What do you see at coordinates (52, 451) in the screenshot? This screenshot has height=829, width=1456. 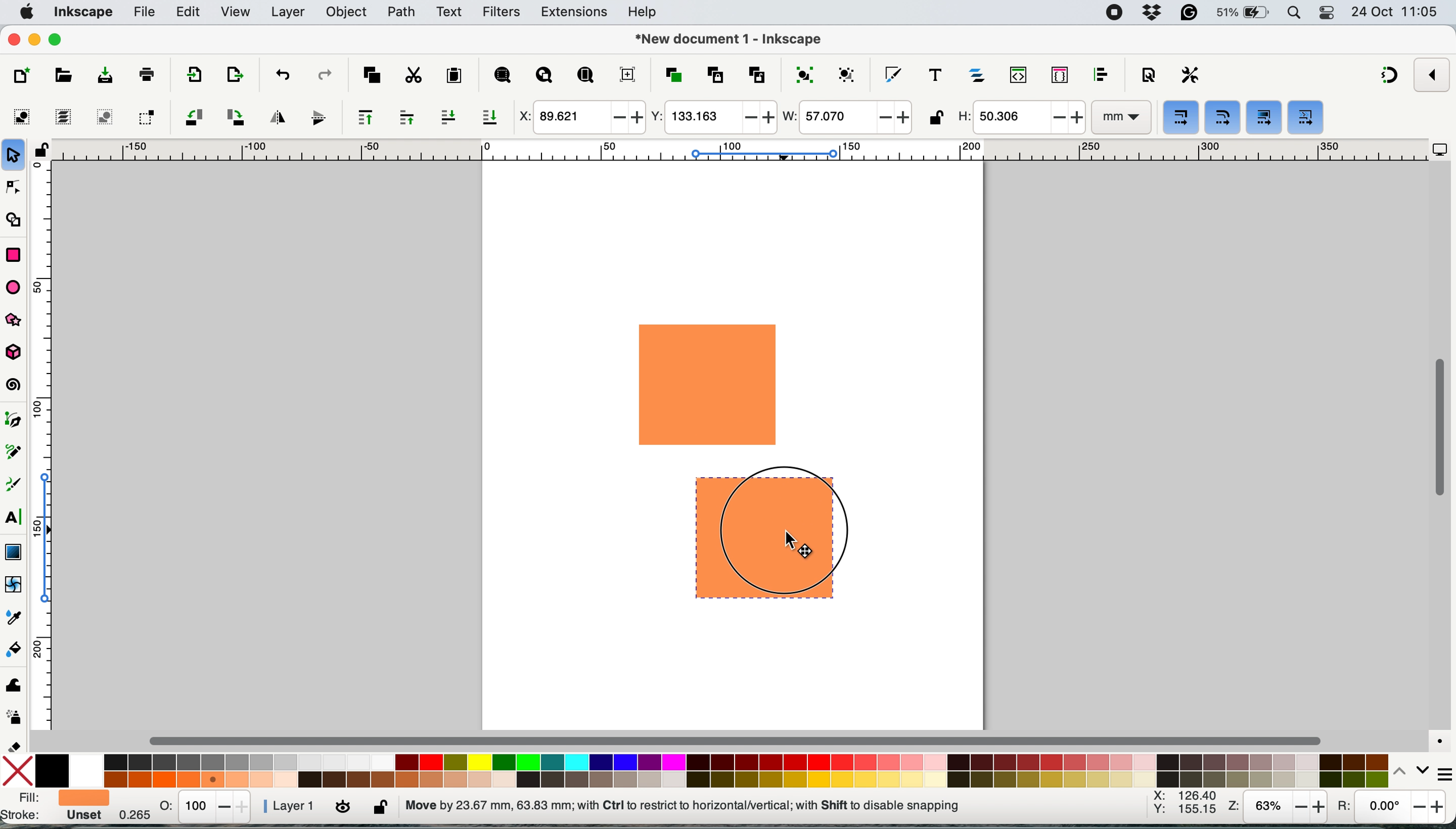 I see `vertical scale` at bounding box center [52, 451].